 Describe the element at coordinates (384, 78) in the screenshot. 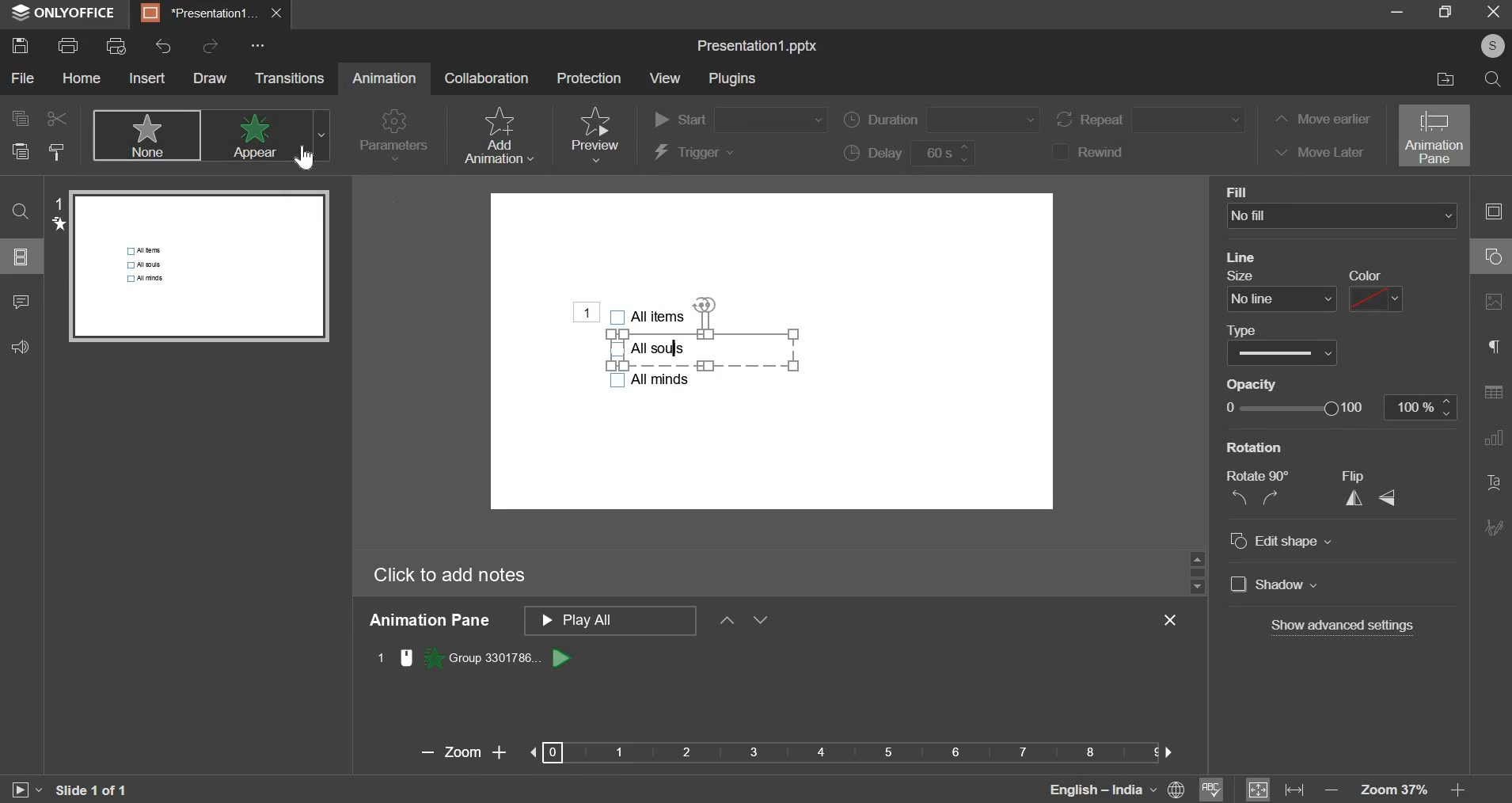

I see `animation` at that location.